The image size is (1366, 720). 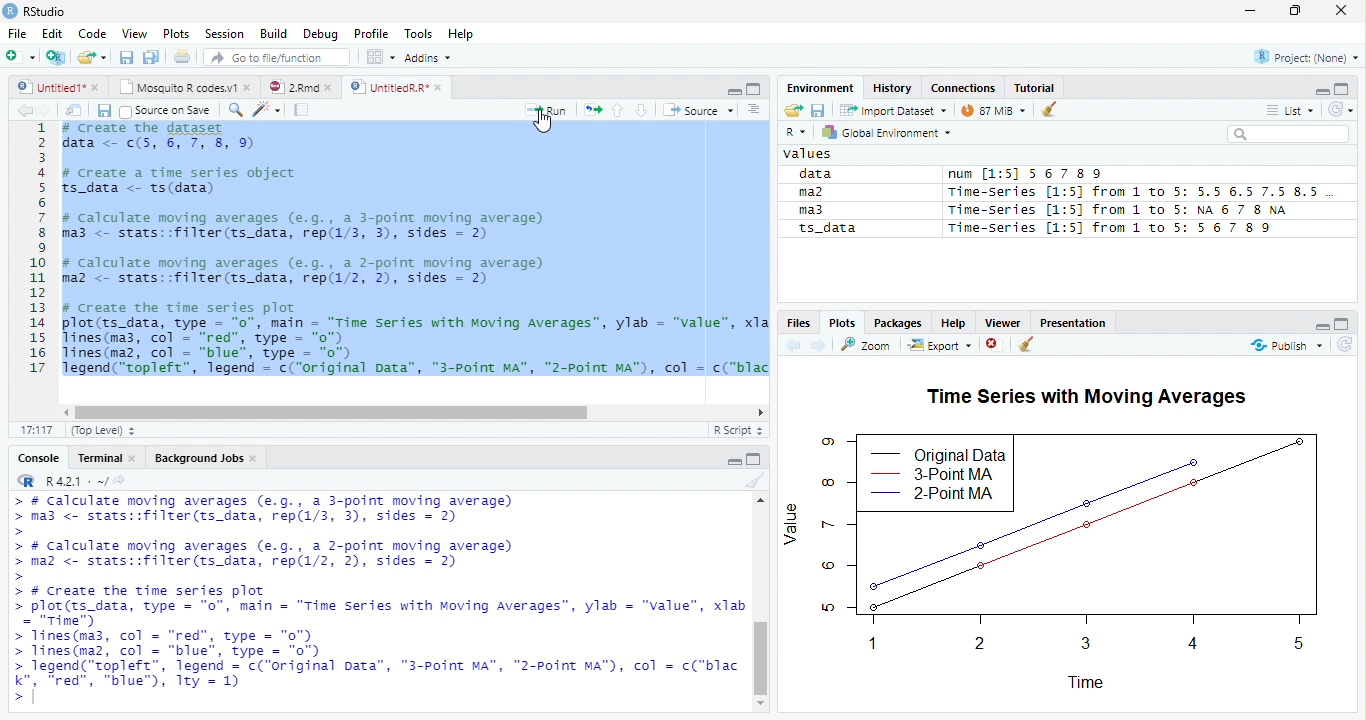 What do you see at coordinates (797, 324) in the screenshot?
I see `Files` at bounding box center [797, 324].